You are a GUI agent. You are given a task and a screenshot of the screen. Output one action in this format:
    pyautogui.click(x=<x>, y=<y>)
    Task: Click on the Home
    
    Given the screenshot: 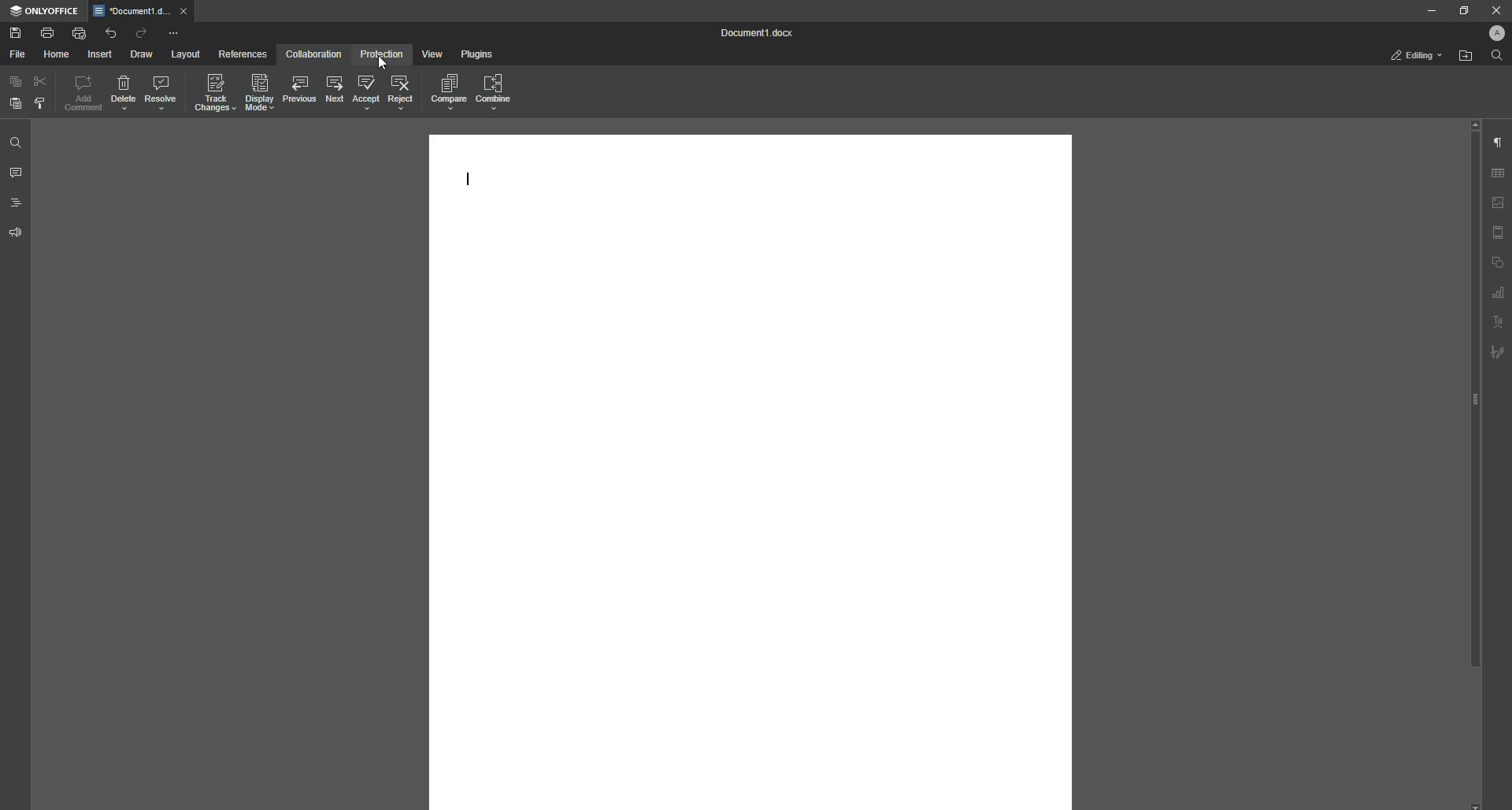 What is the action you would take?
    pyautogui.click(x=56, y=55)
    